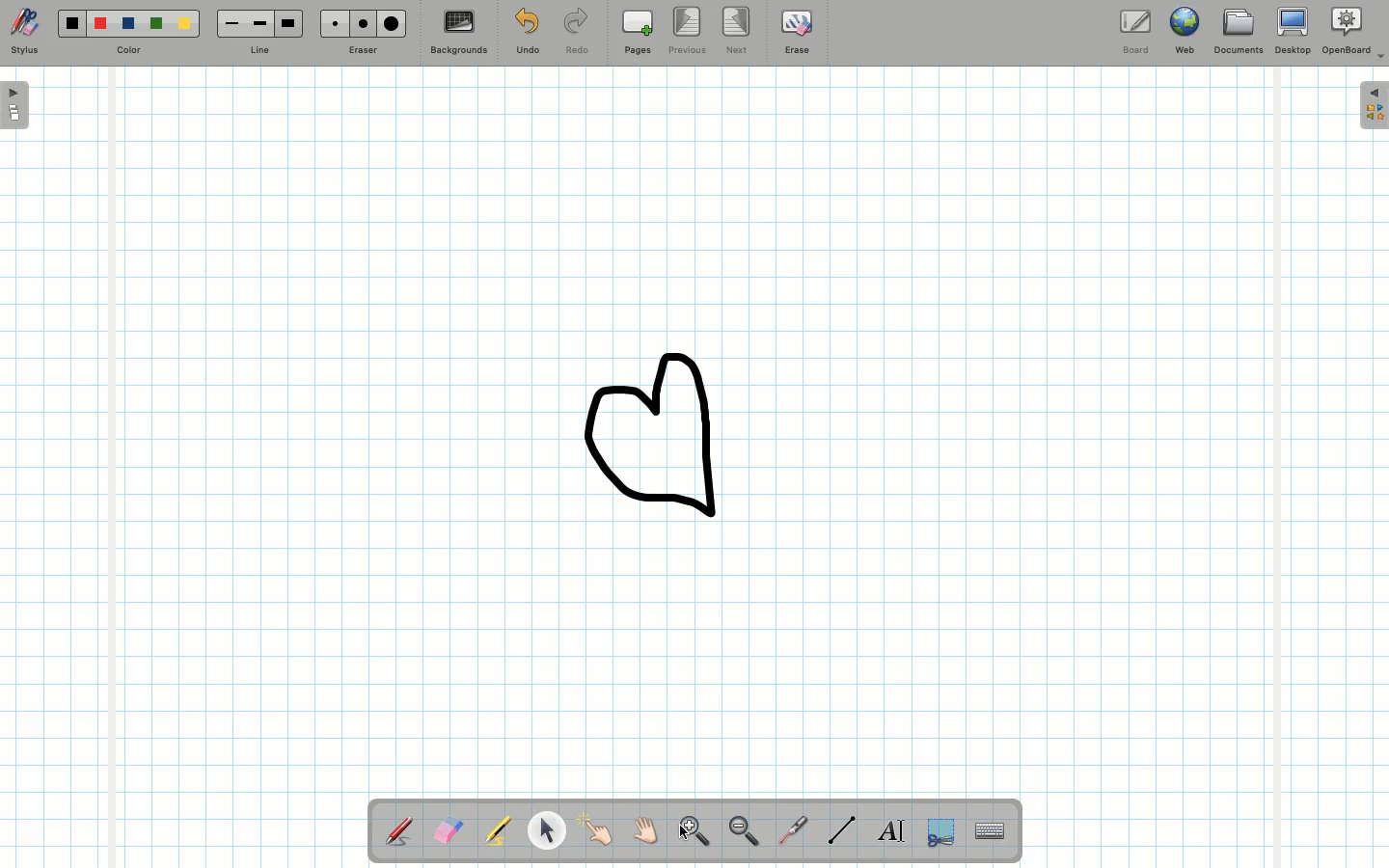  I want to click on Line, so click(259, 32).